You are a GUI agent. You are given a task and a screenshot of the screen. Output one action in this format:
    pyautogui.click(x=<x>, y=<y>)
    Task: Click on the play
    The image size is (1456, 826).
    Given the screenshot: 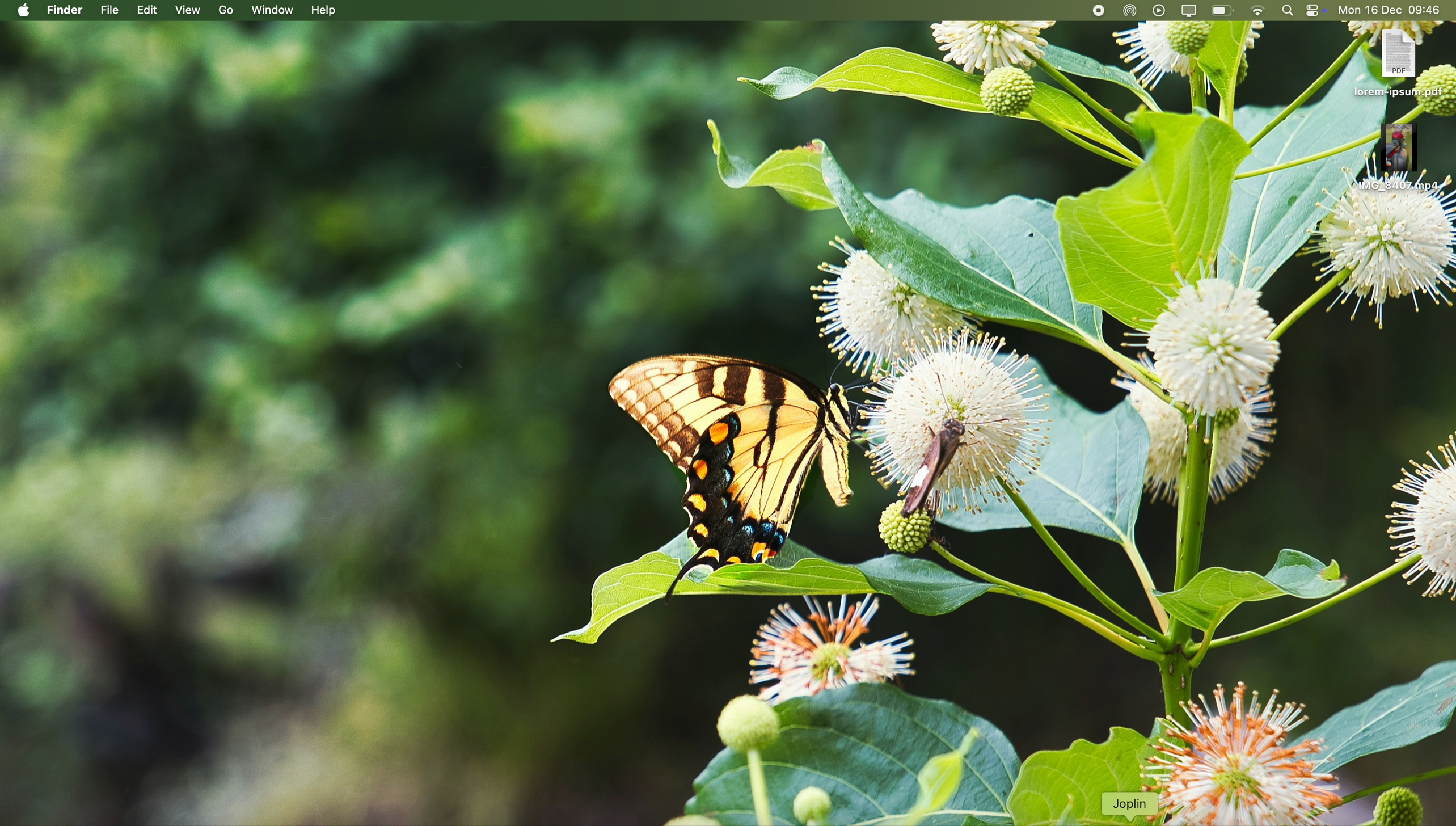 What is the action you would take?
    pyautogui.click(x=1160, y=10)
    